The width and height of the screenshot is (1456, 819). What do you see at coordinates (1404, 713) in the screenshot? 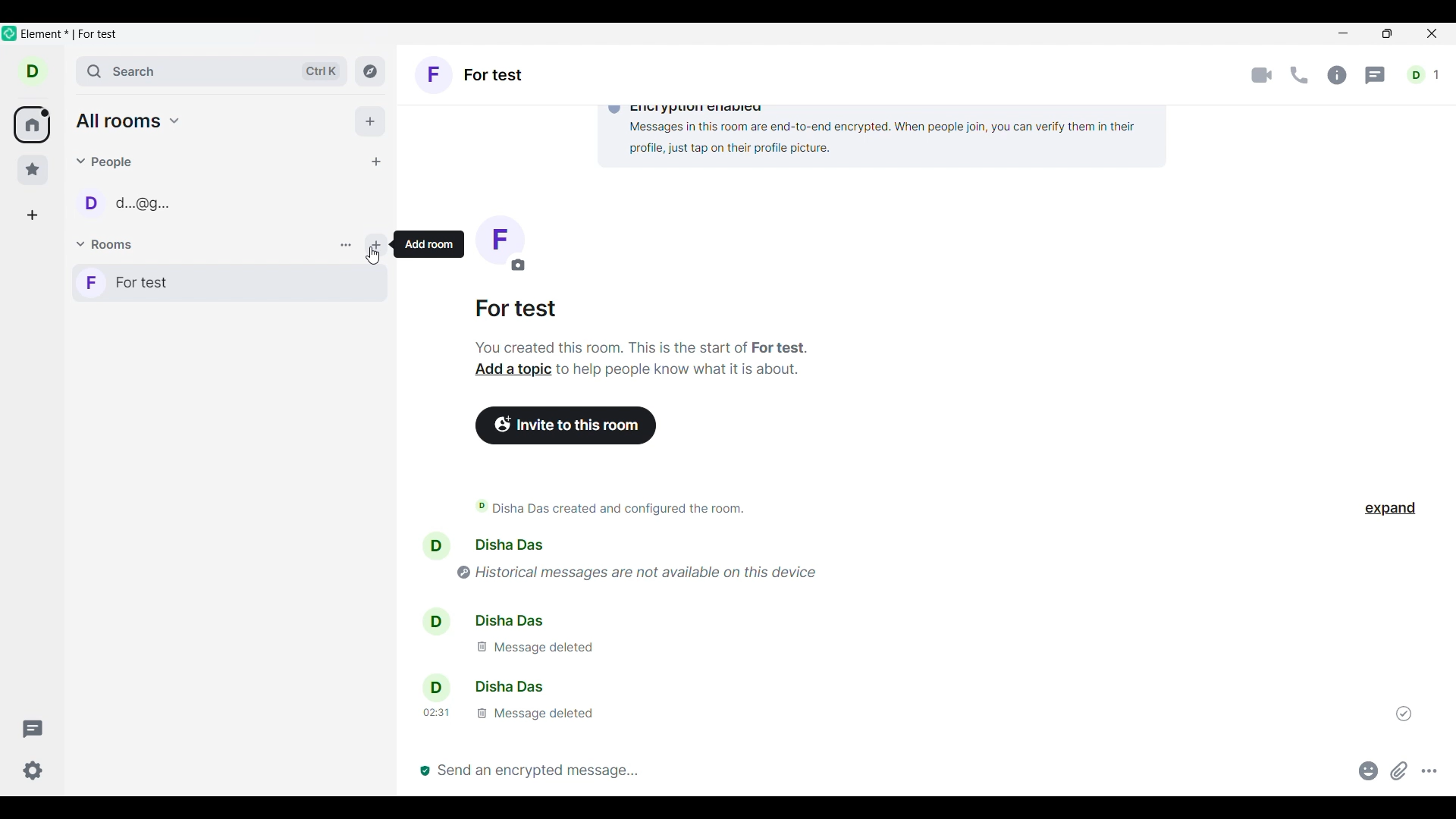
I see `Indicates message sent` at bounding box center [1404, 713].